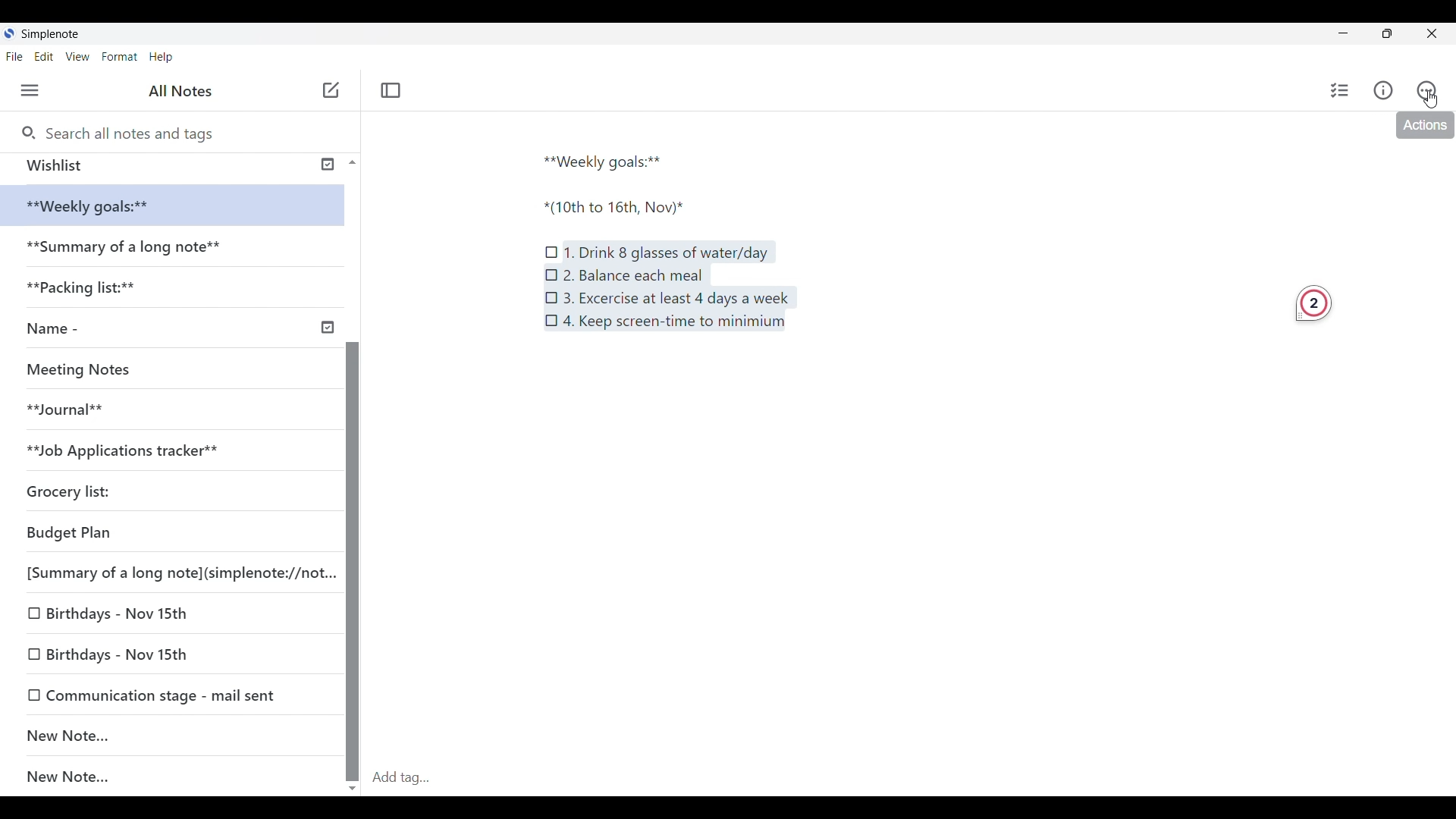 This screenshot has height=819, width=1456. I want to click on Grocery list:, so click(92, 487).